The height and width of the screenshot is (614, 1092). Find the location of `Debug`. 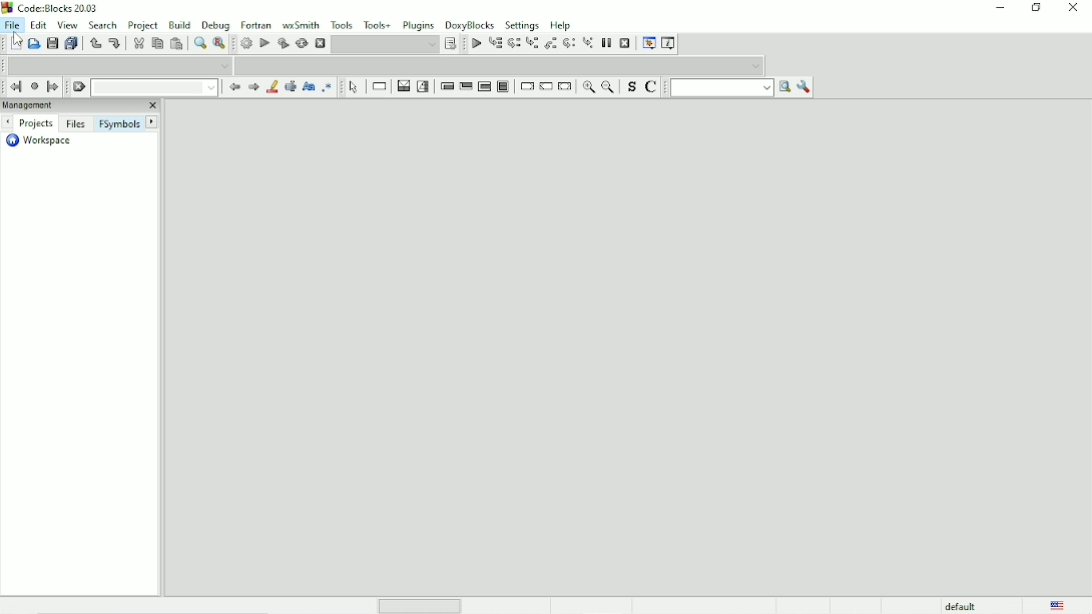

Debug is located at coordinates (215, 25).